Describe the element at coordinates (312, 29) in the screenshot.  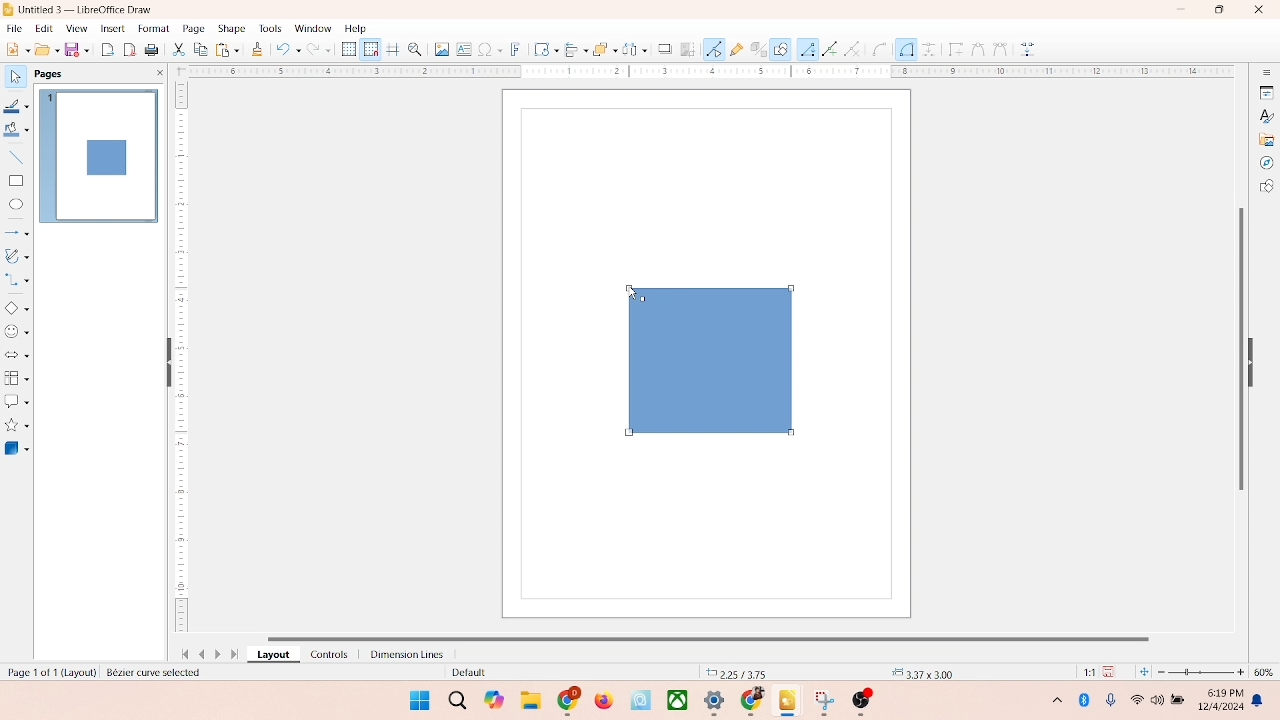
I see `window` at that location.